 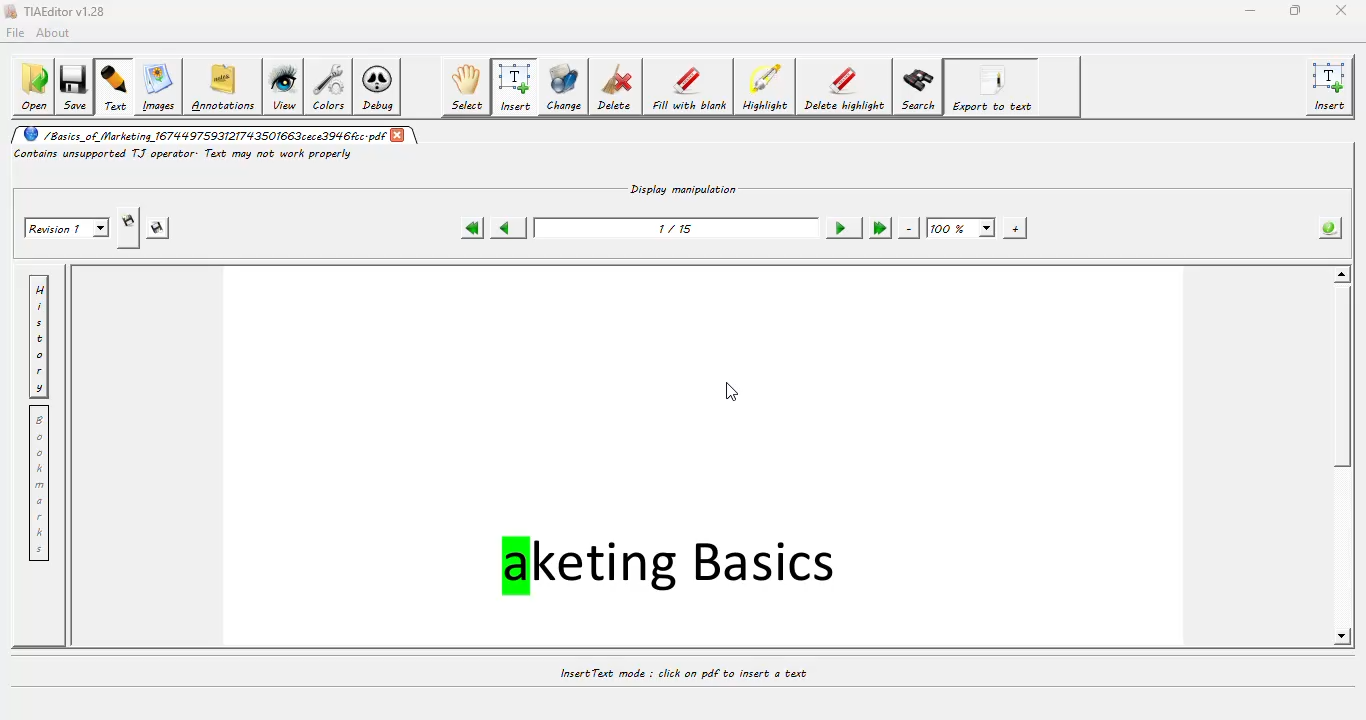 I want to click on close, so click(x=401, y=136).